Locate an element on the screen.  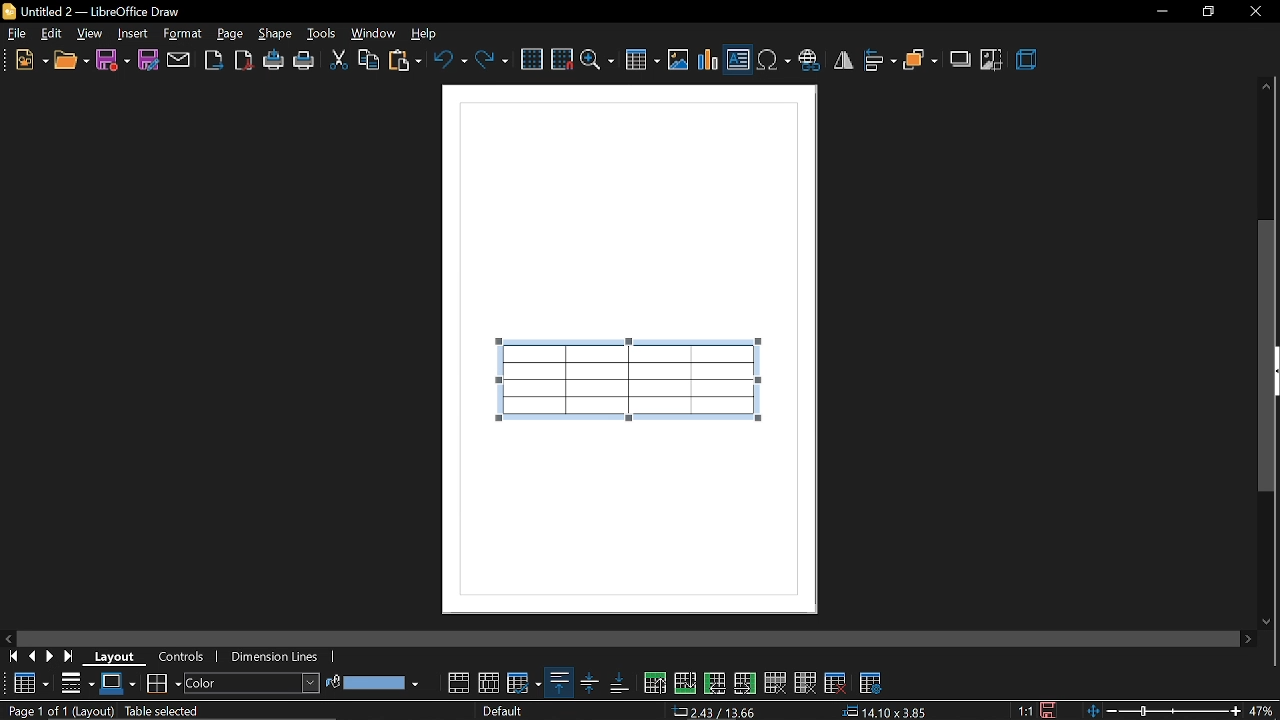
table selected is located at coordinates (170, 710).